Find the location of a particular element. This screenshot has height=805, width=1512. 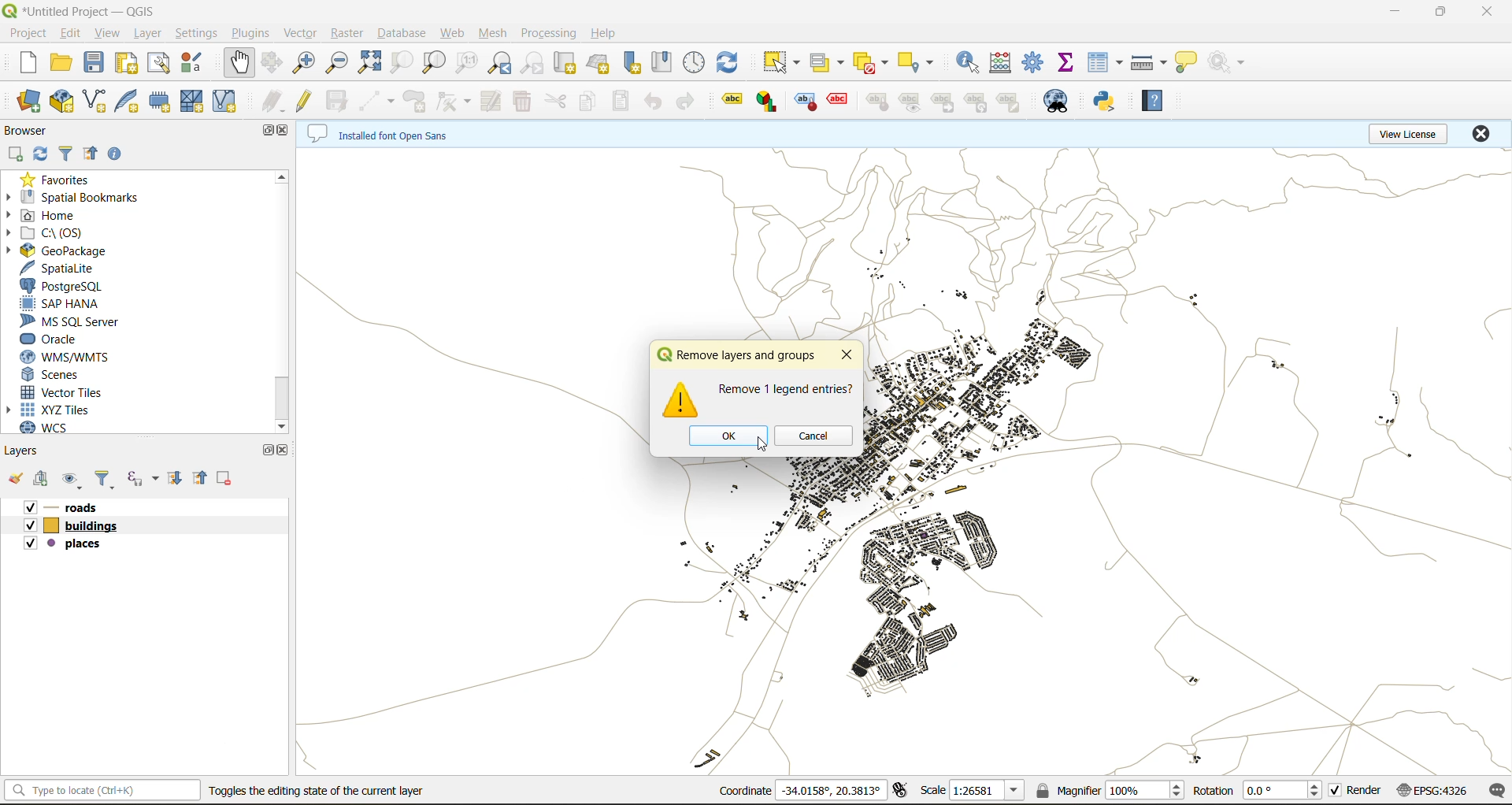

spatial bookmarks is located at coordinates (86, 196).